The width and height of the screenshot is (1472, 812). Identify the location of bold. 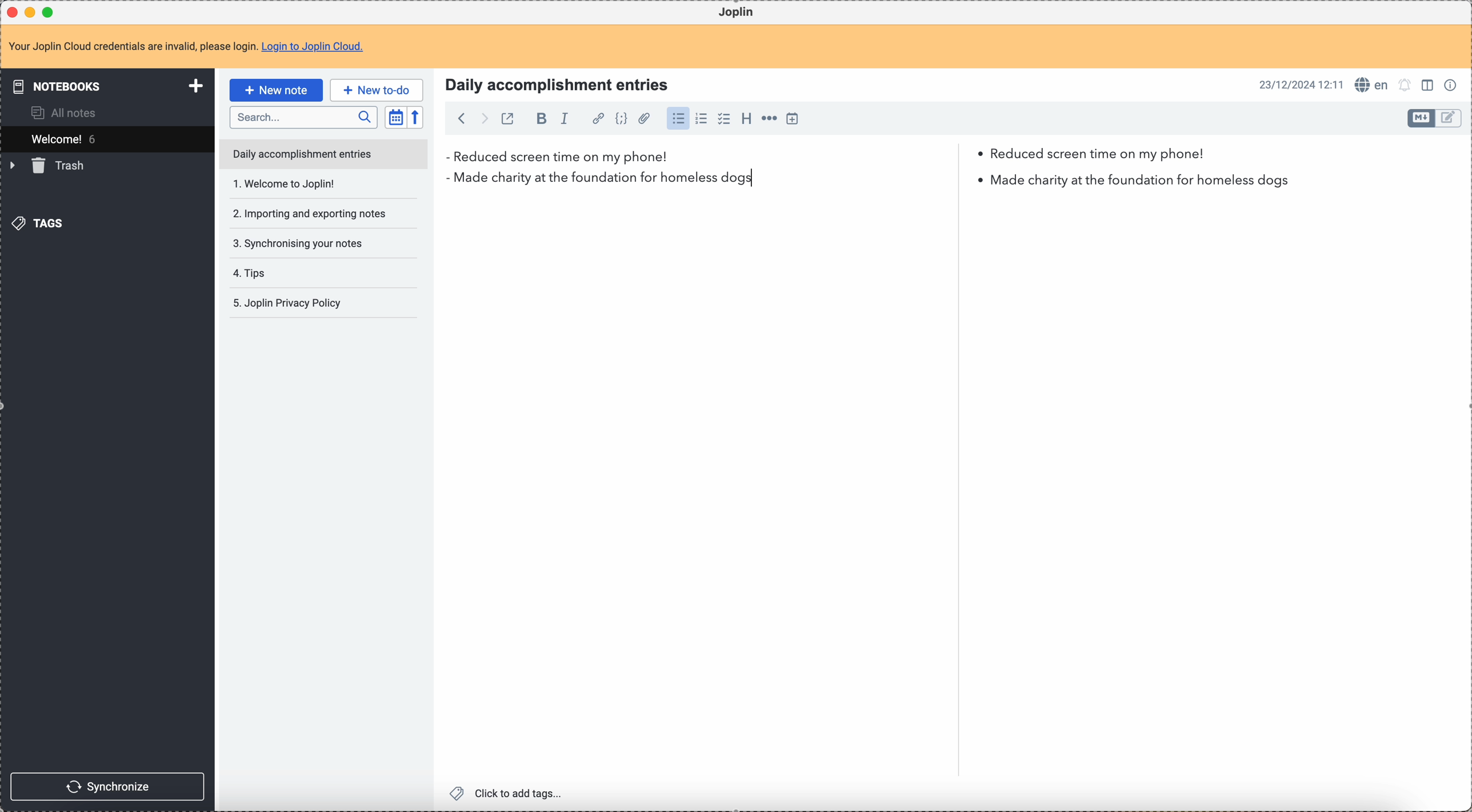
(538, 119).